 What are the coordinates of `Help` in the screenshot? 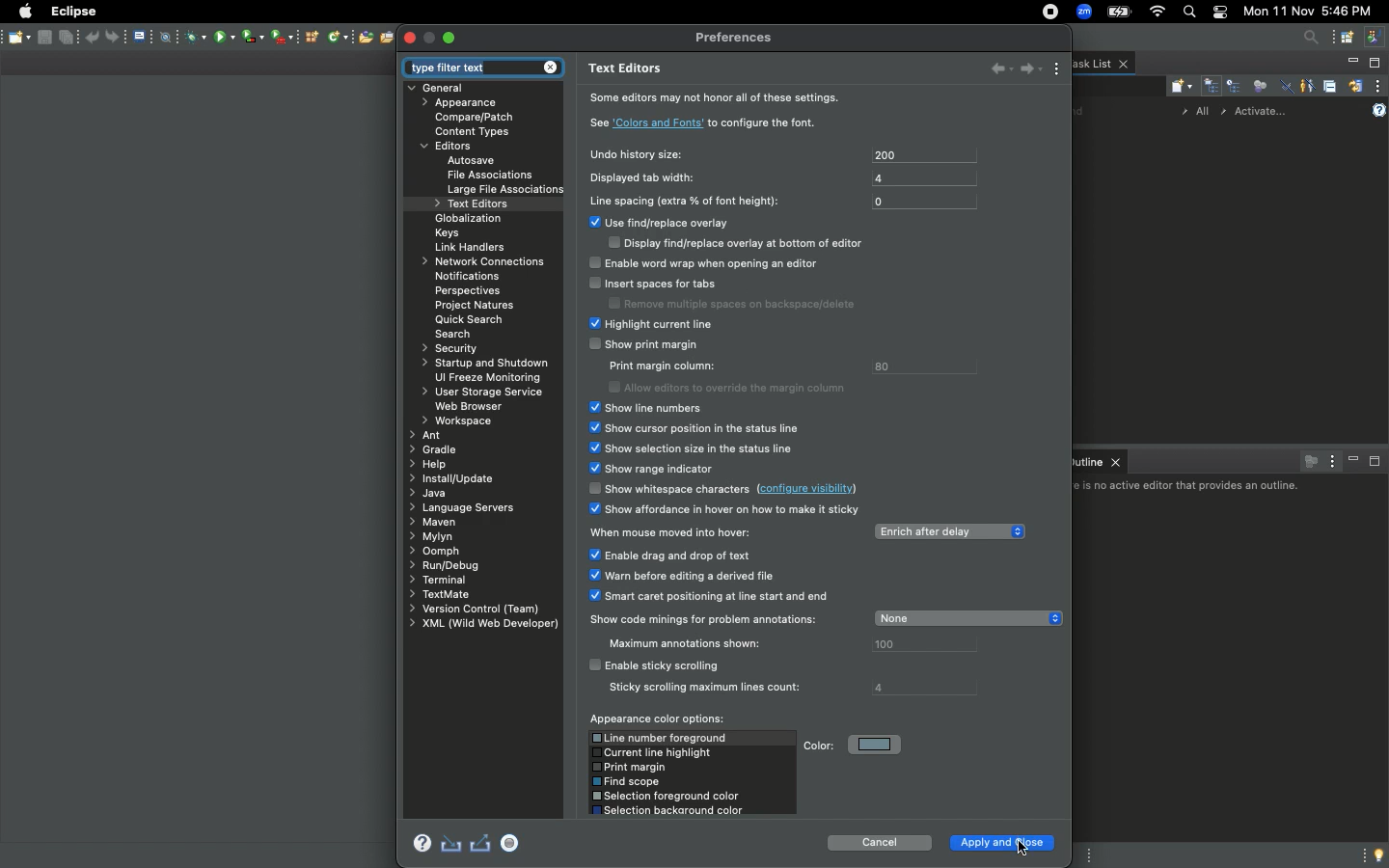 It's located at (430, 464).